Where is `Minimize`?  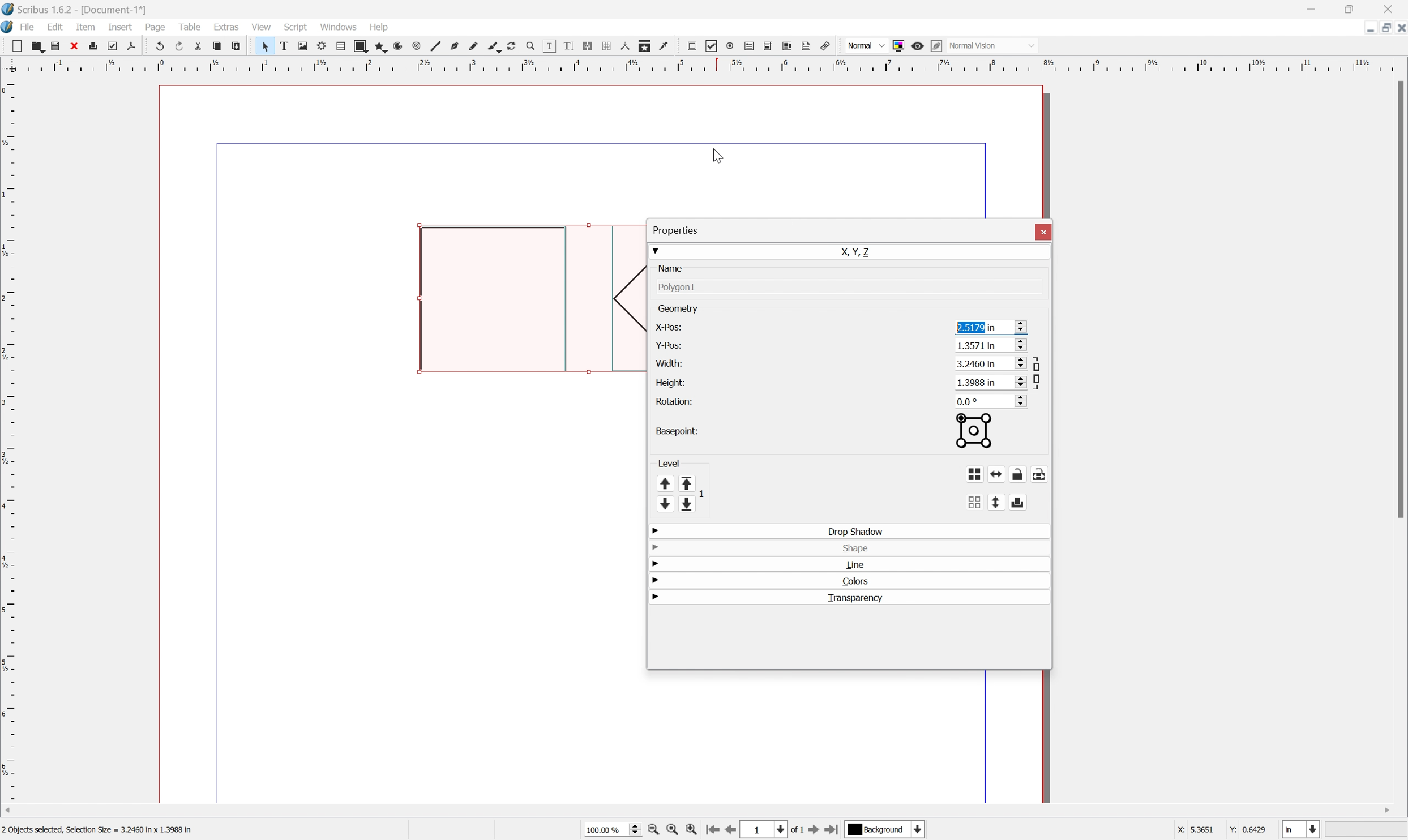 Minimize is located at coordinates (1312, 8).